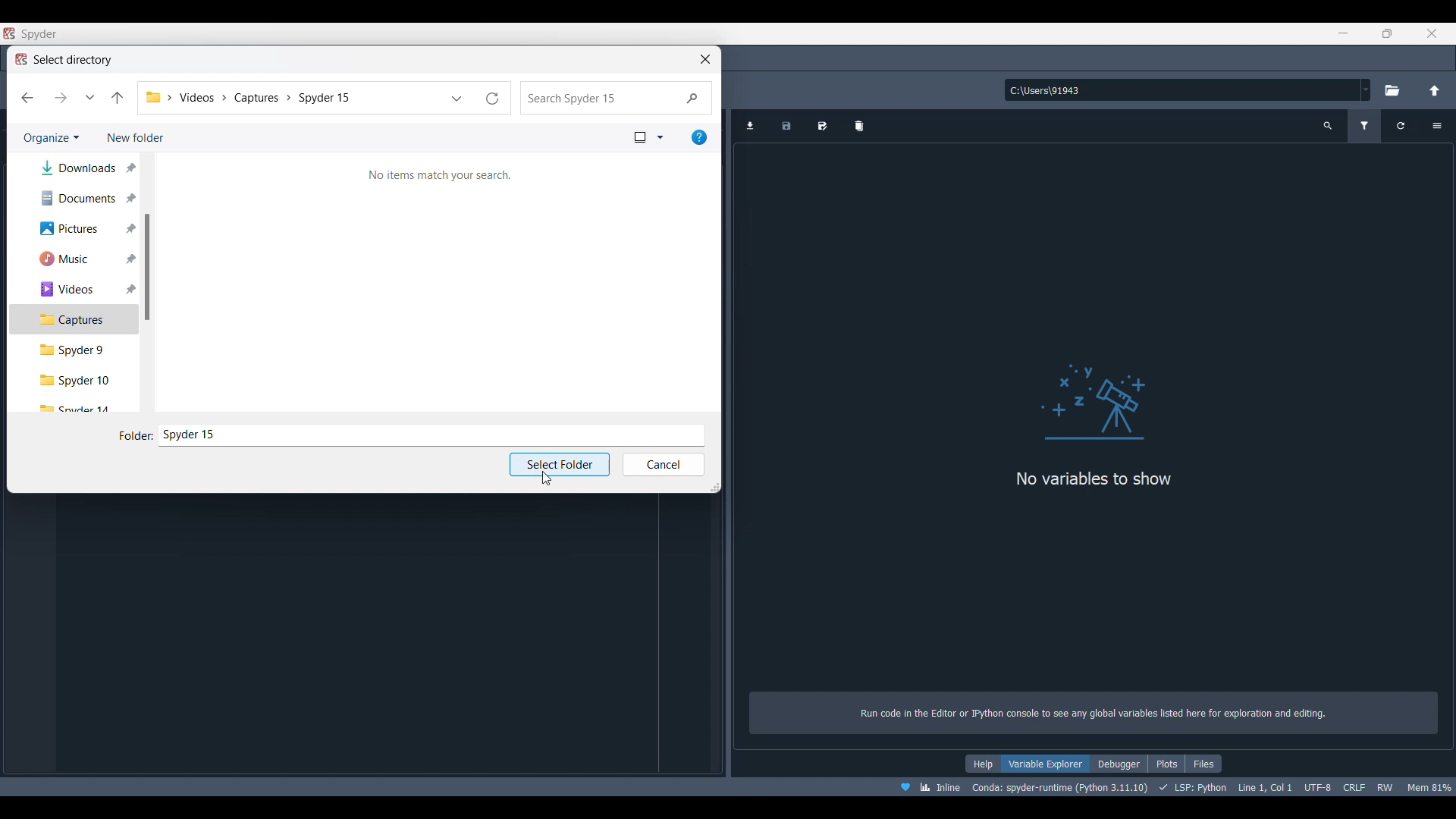  I want to click on View options, so click(648, 138).